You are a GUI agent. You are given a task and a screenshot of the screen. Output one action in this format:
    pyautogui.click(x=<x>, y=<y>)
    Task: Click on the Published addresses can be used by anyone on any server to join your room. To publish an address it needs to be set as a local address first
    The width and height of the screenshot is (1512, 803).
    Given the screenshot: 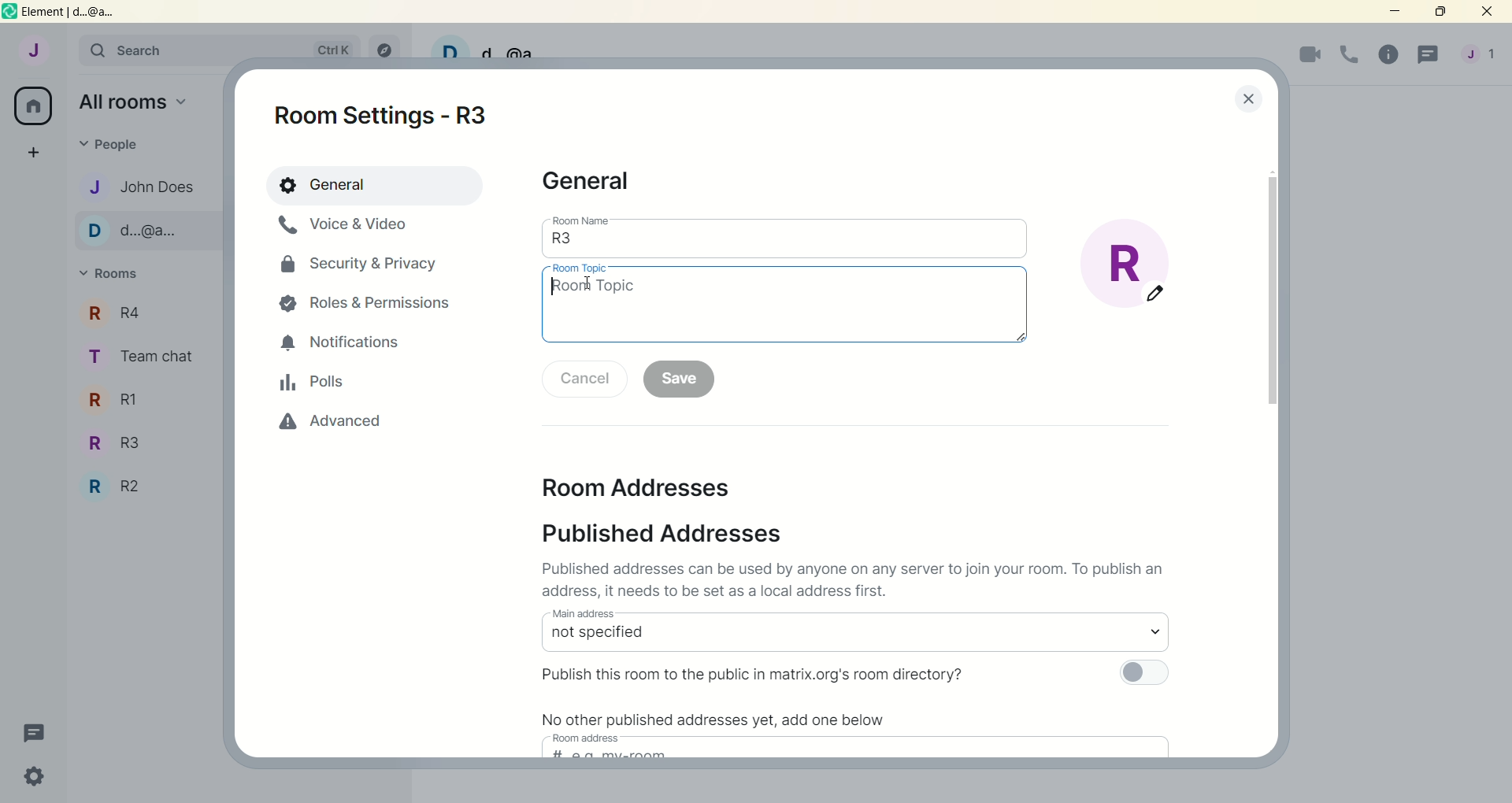 What is the action you would take?
    pyautogui.click(x=861, y=579)
    